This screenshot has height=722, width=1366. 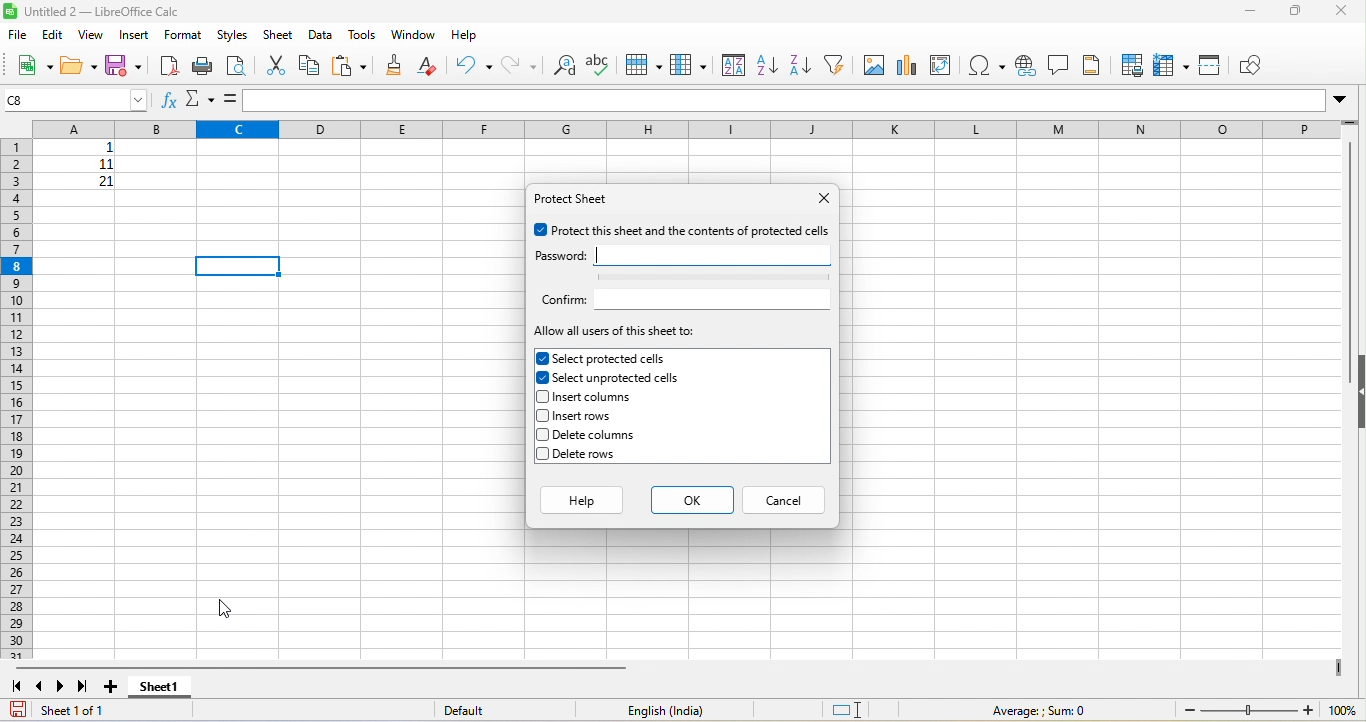 I want to click on delete rows, so click(x=610, y=453).